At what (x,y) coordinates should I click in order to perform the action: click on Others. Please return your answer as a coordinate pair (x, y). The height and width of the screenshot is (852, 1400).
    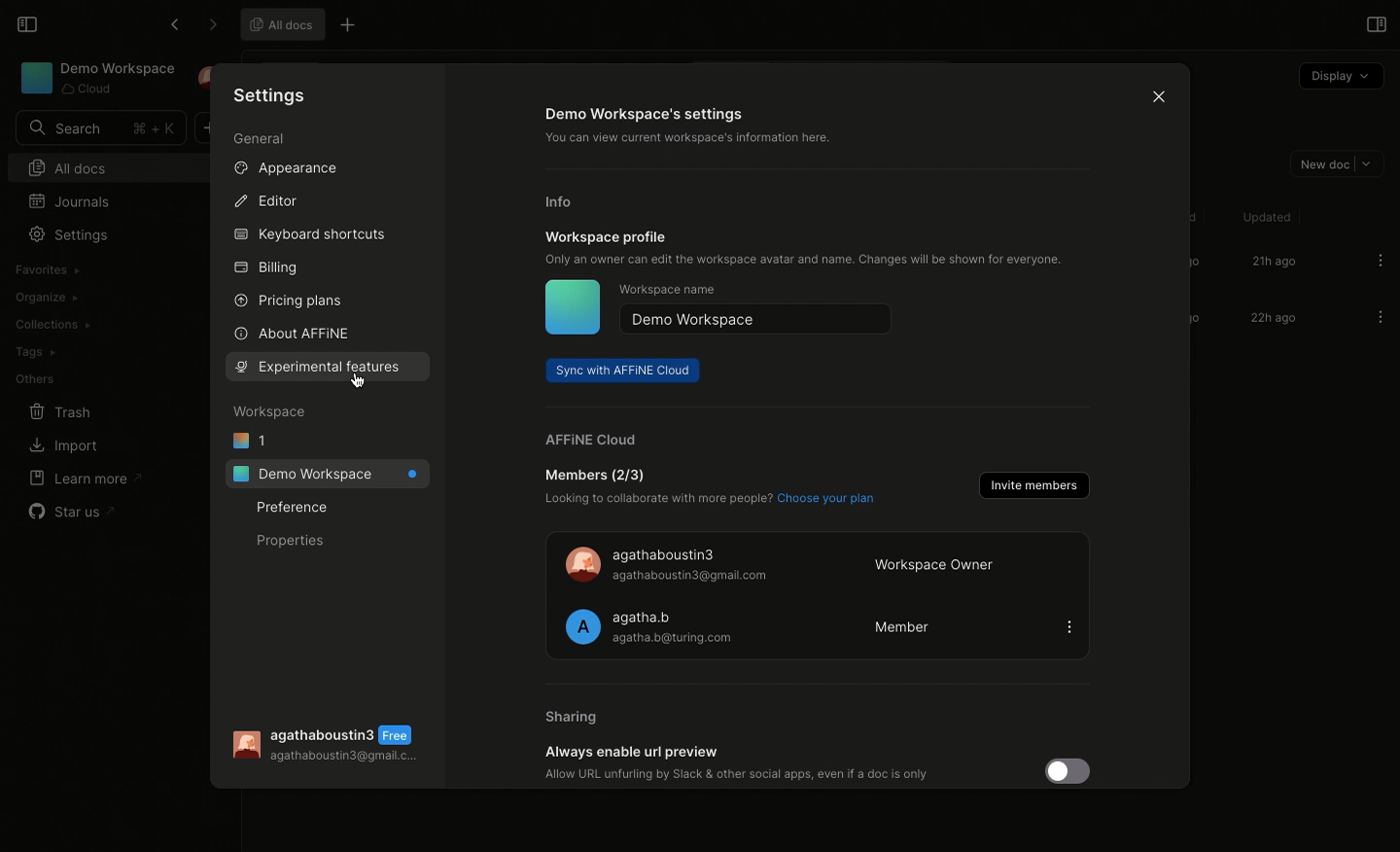
    Looking at the image, I should click on (35, 379).